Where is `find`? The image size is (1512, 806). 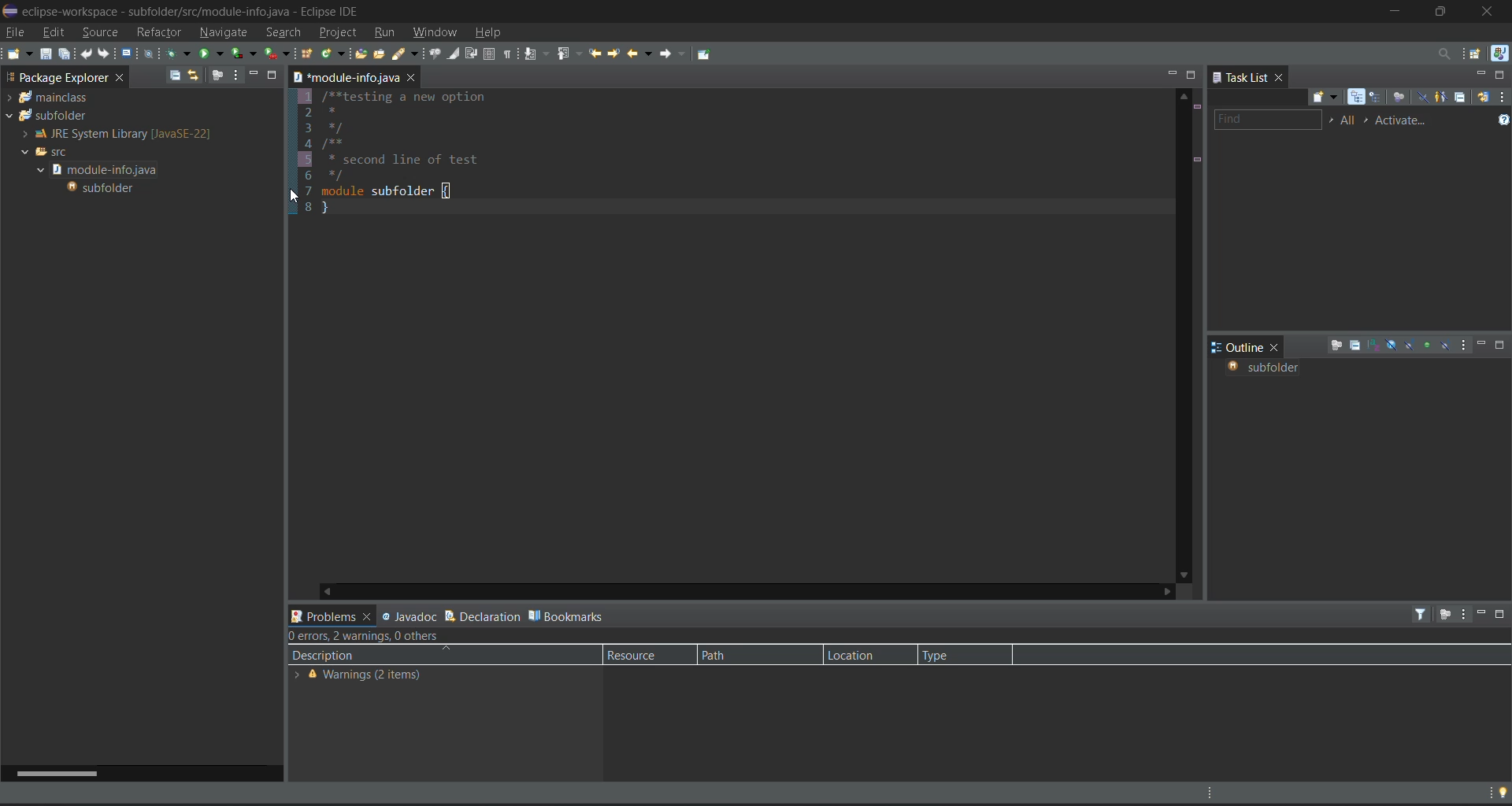
find is located at coordinates (1266, 120).